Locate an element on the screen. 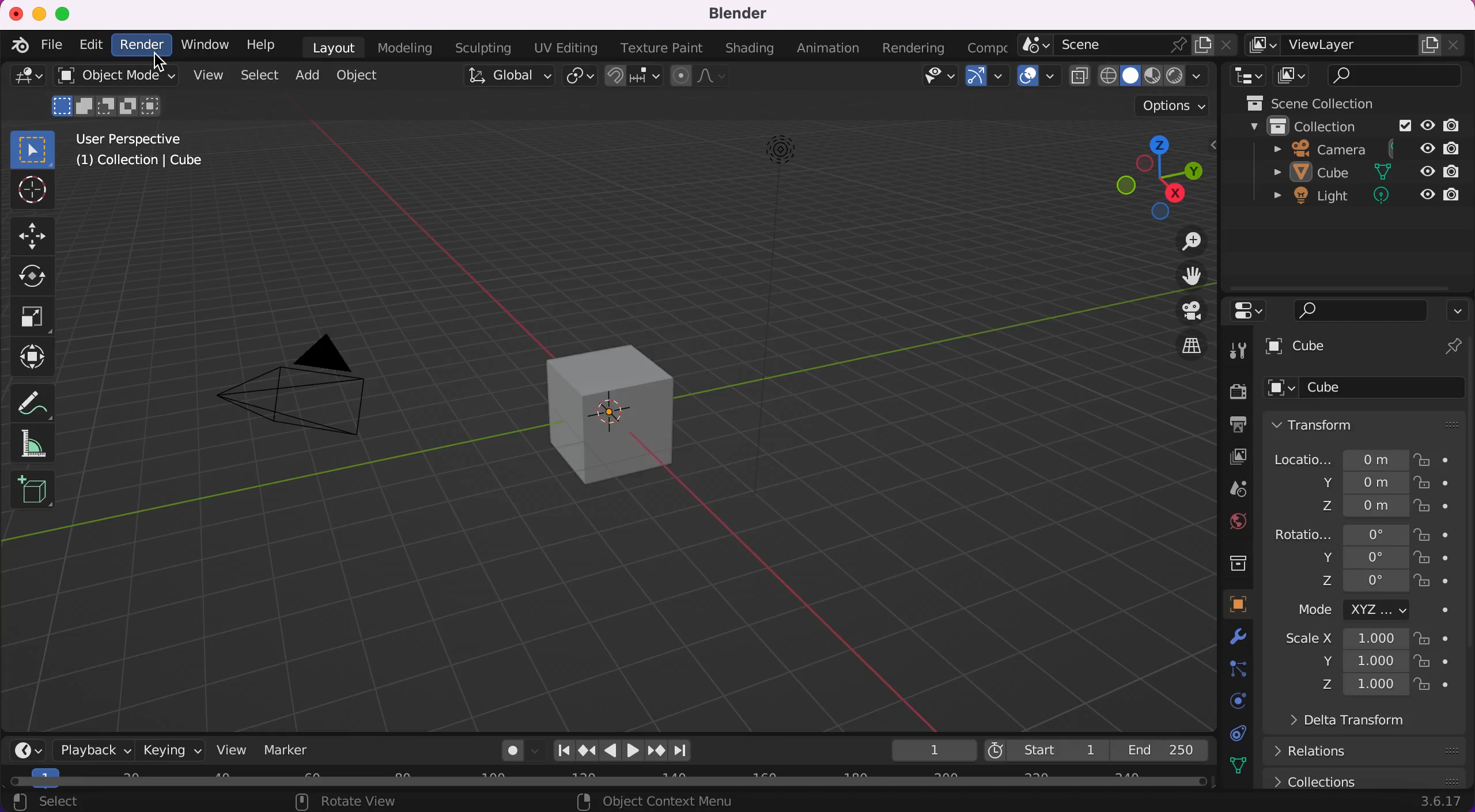 Image resolution: width=1475 pixels, height=812 pixels. annotate is located at coordinates (43, 397).